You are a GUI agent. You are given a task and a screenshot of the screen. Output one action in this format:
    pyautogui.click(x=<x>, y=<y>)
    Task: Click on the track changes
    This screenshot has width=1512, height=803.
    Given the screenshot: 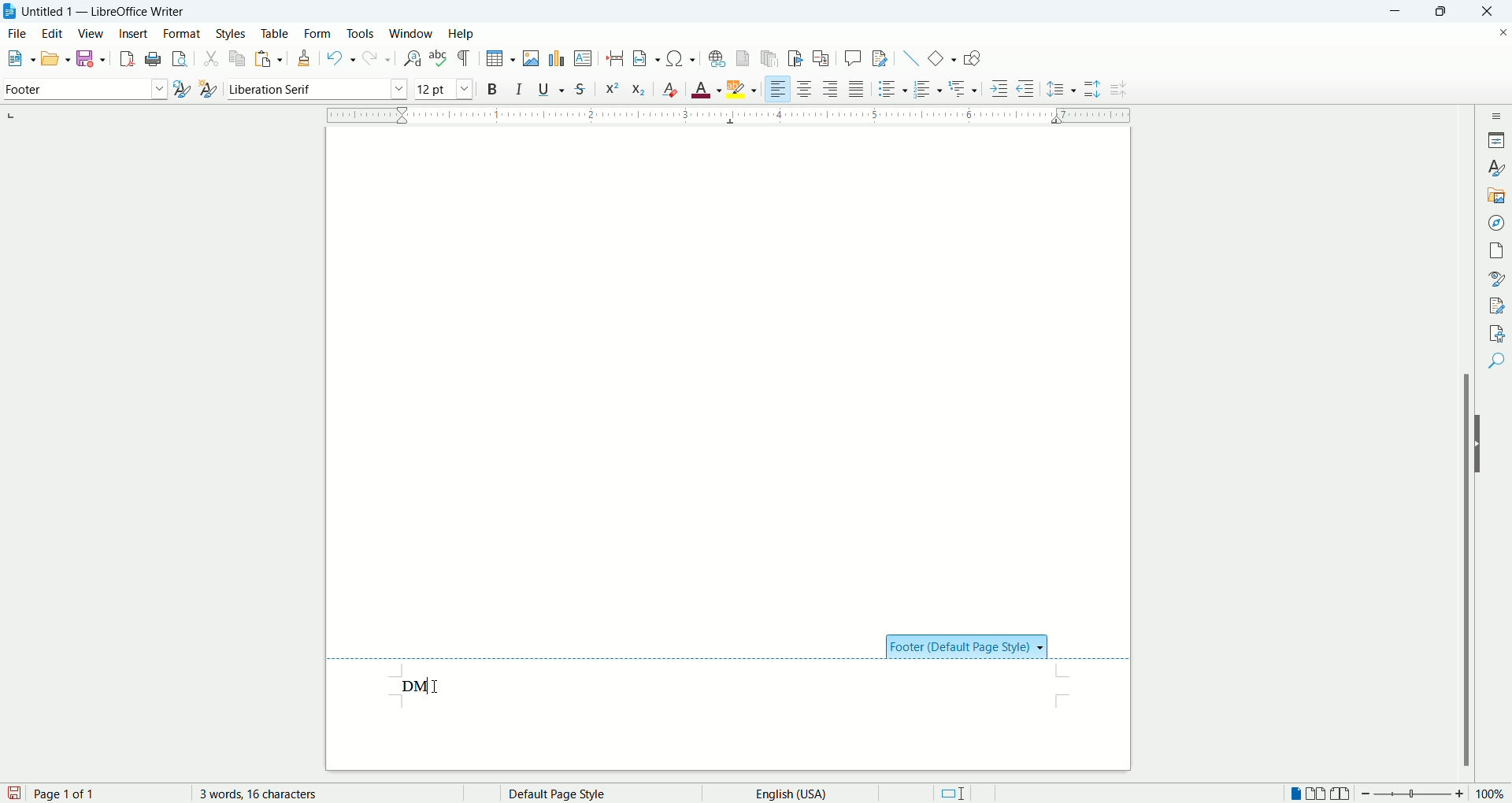 What is the action you would take?
    pyautogui.click(x=880, y=59)
    